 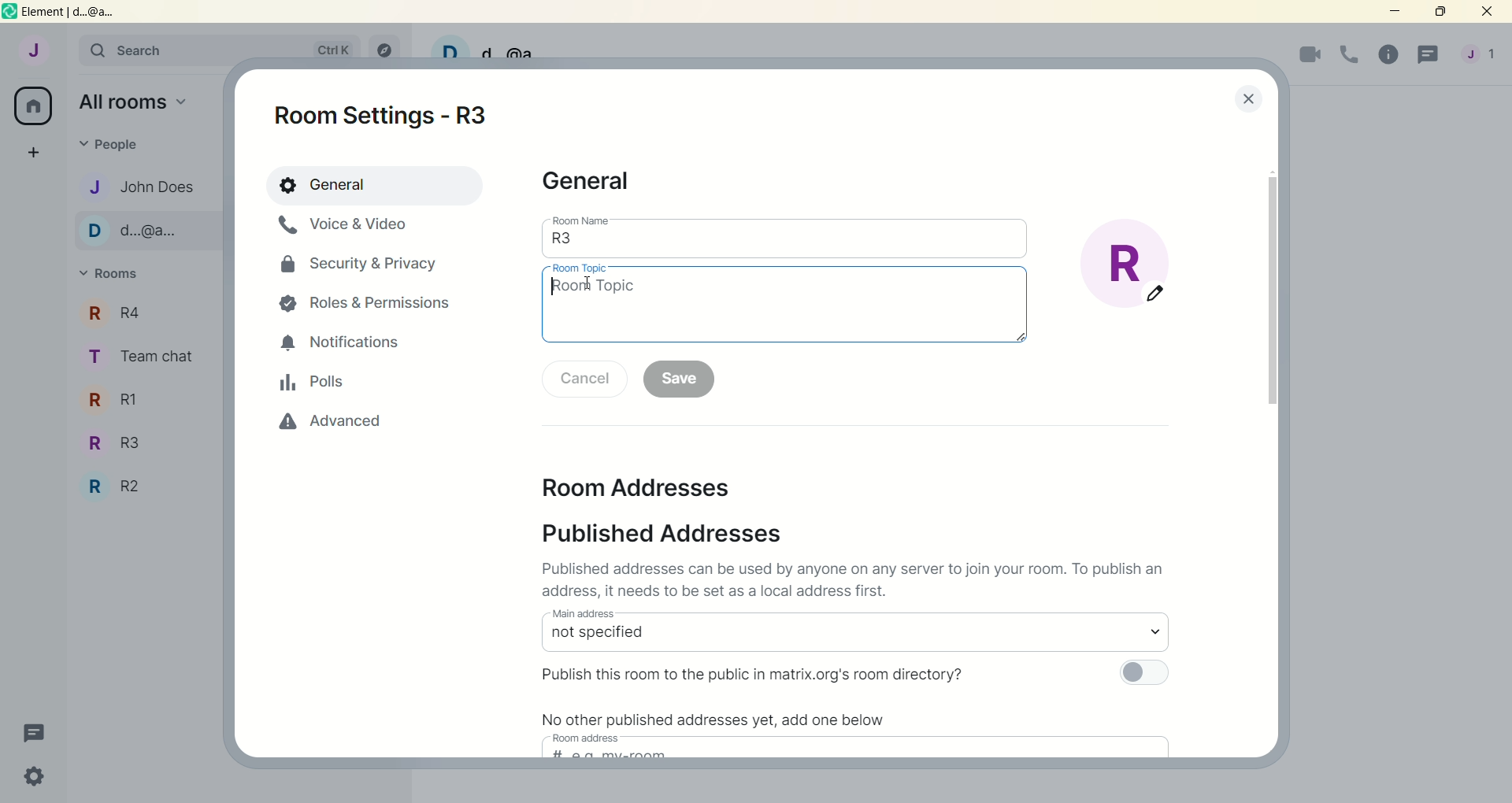 I want to click on r4, so click(x=143, y=312).